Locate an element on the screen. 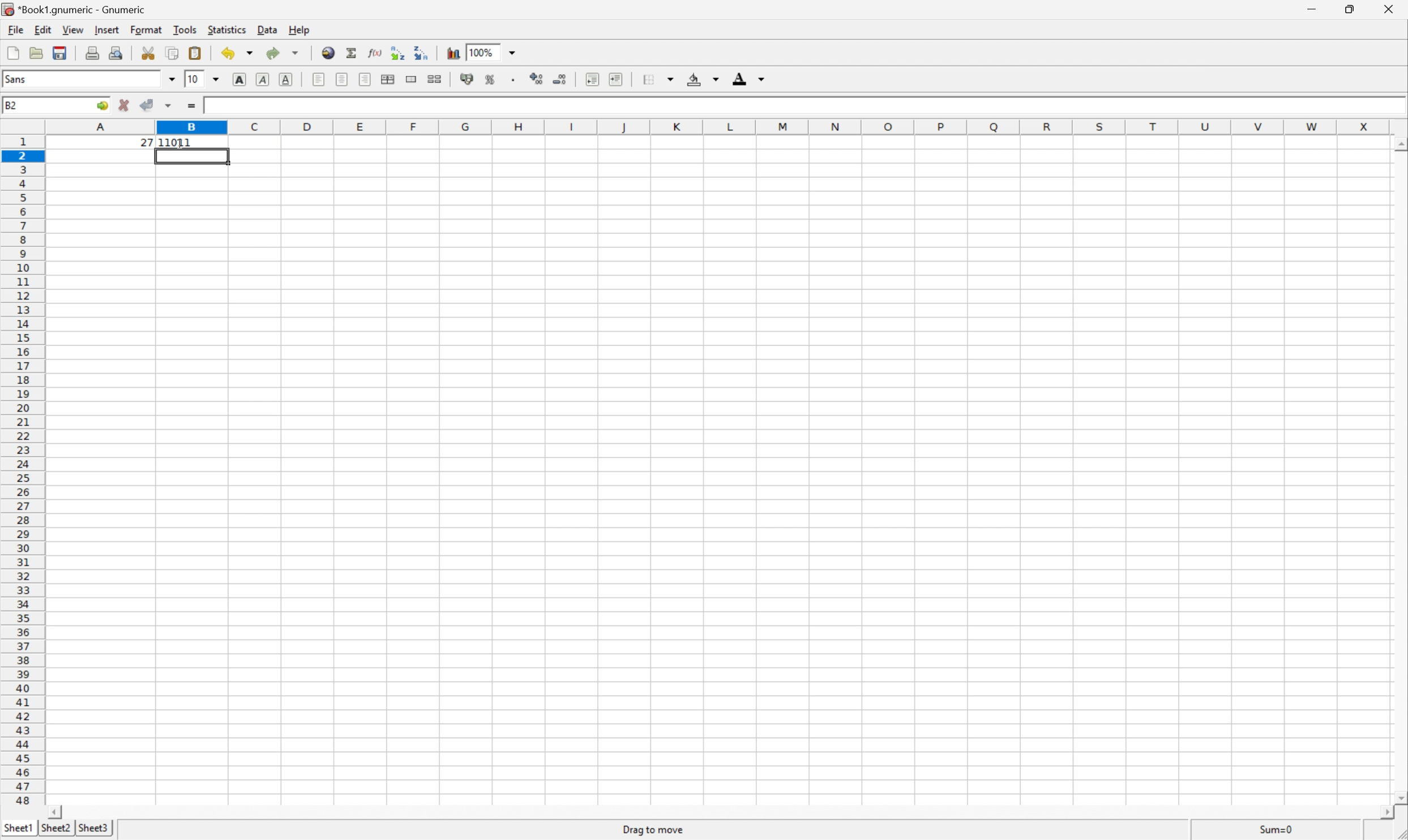 The width and height of the screenshot is (1408, 840). Statistics is located at coordinates (227, 29).